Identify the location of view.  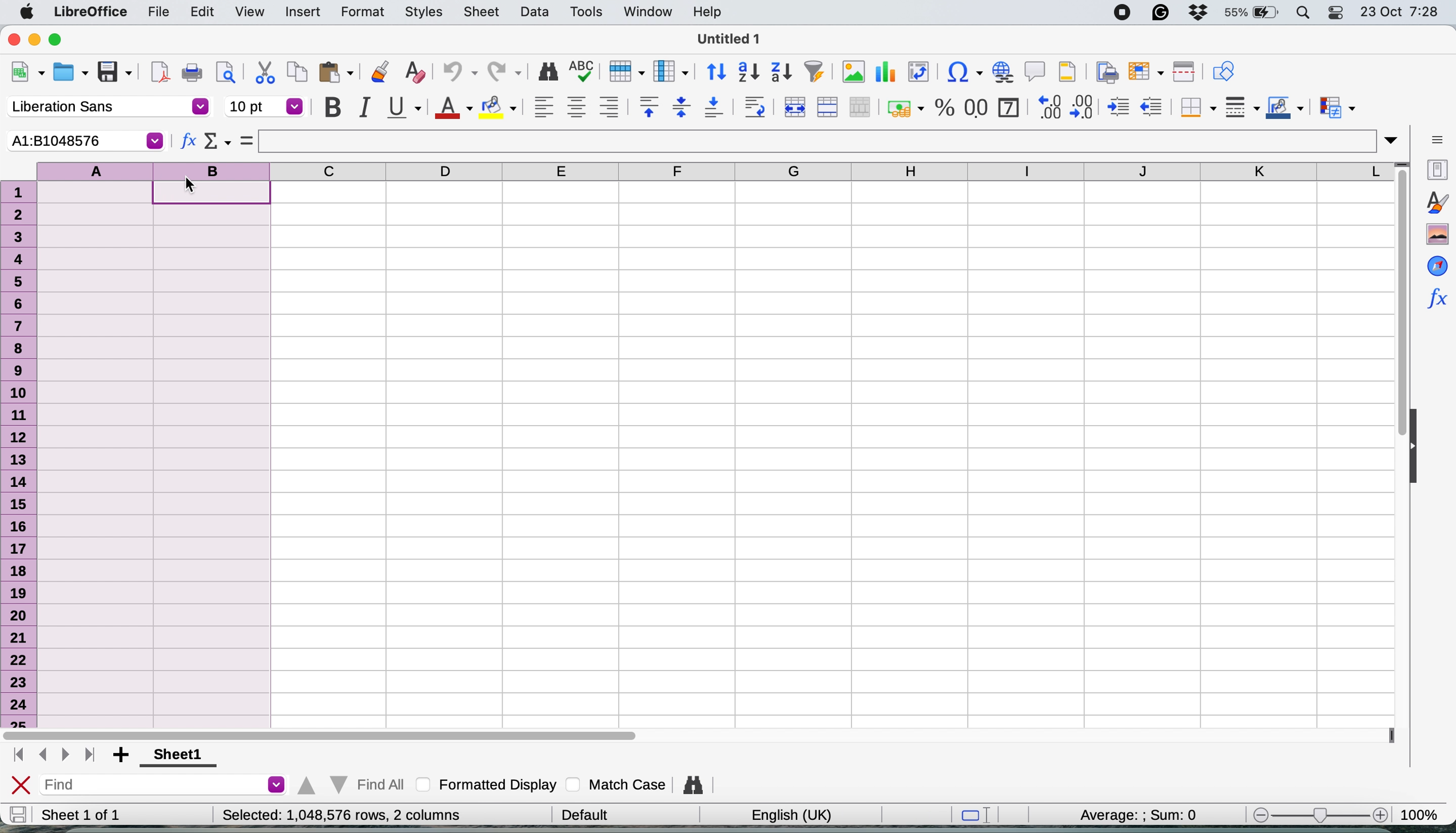
(249, 13).